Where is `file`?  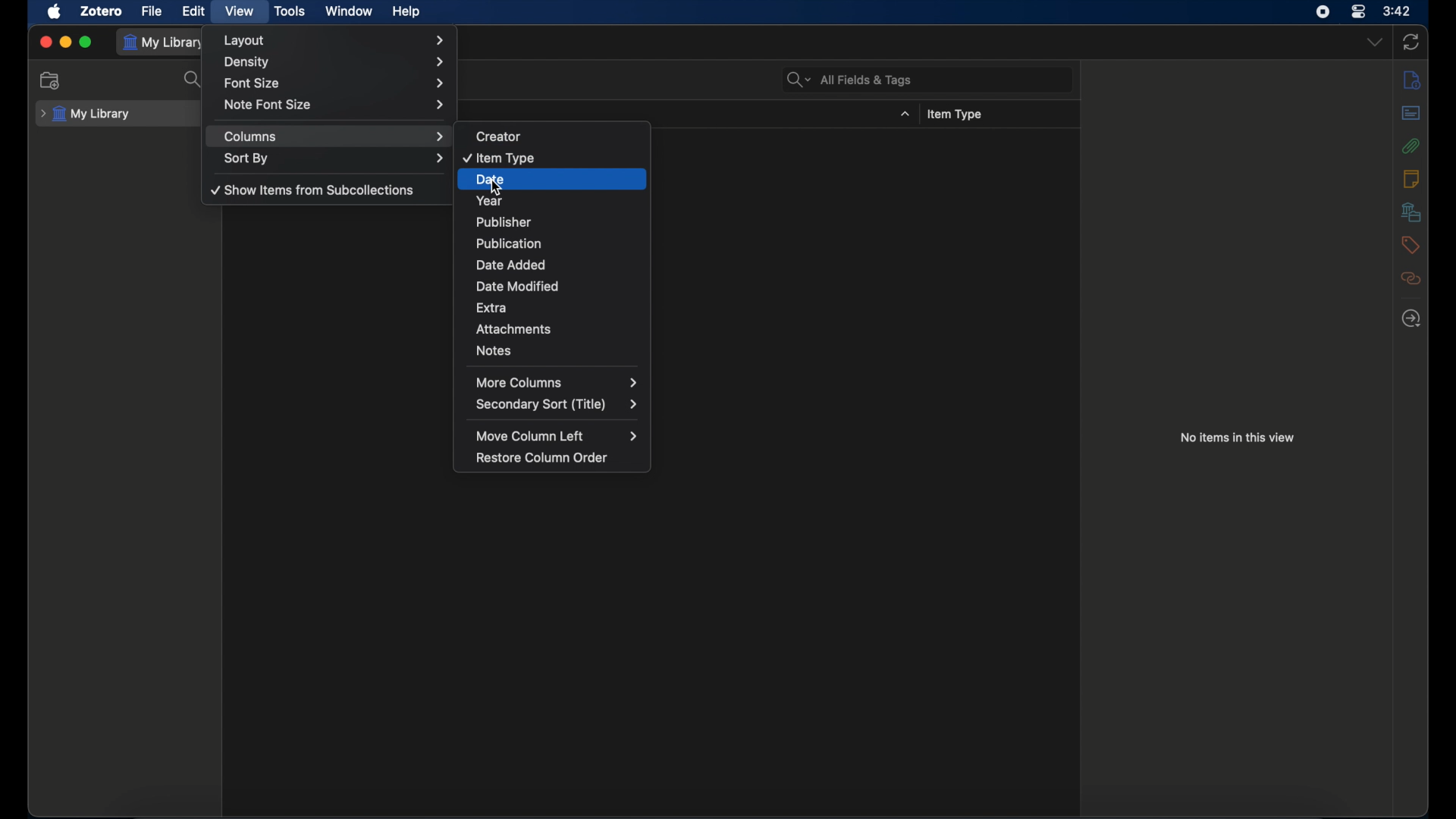
file is located at coordinates (152, 12).